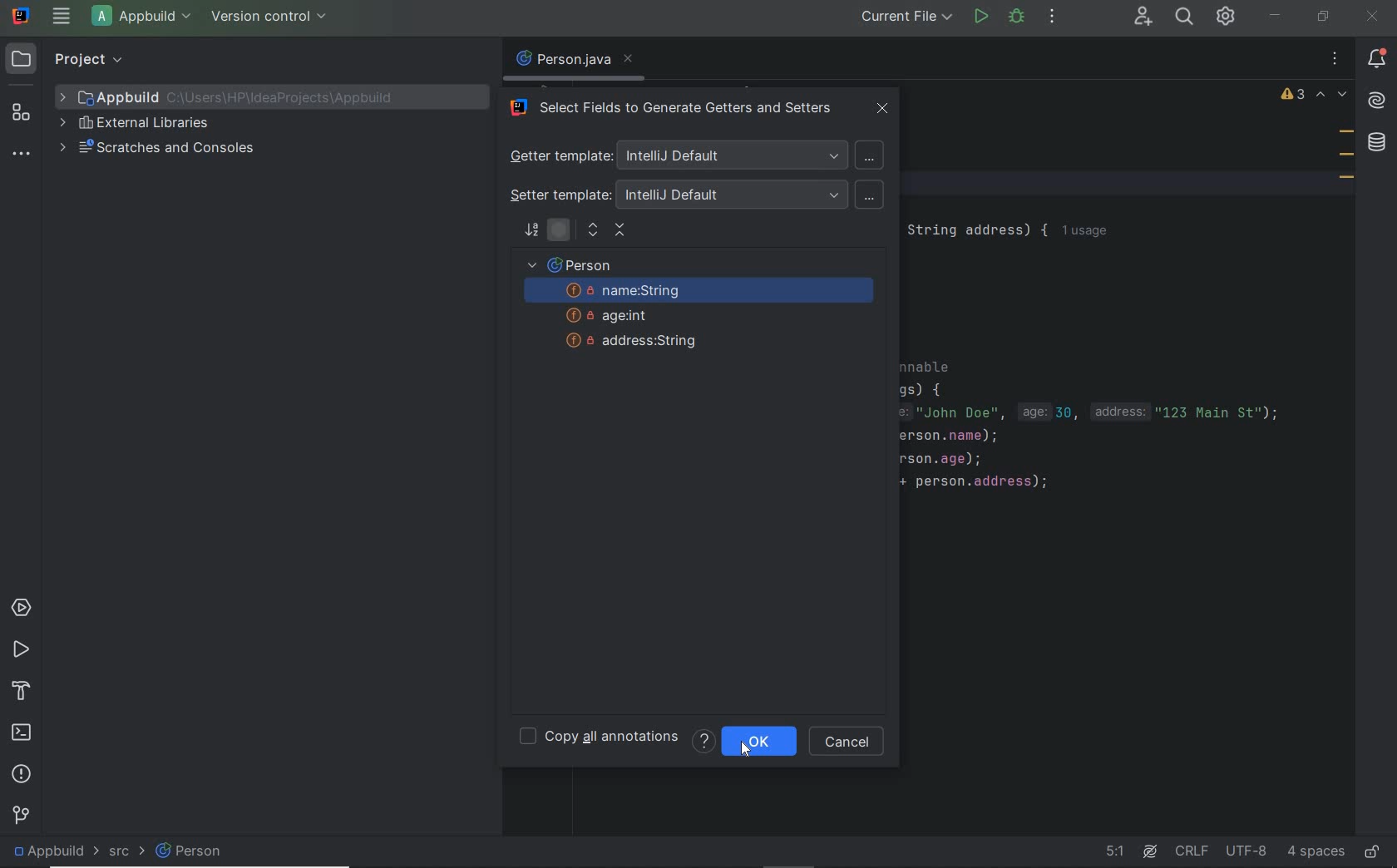  I want to click on project file name, so click(47, 850).